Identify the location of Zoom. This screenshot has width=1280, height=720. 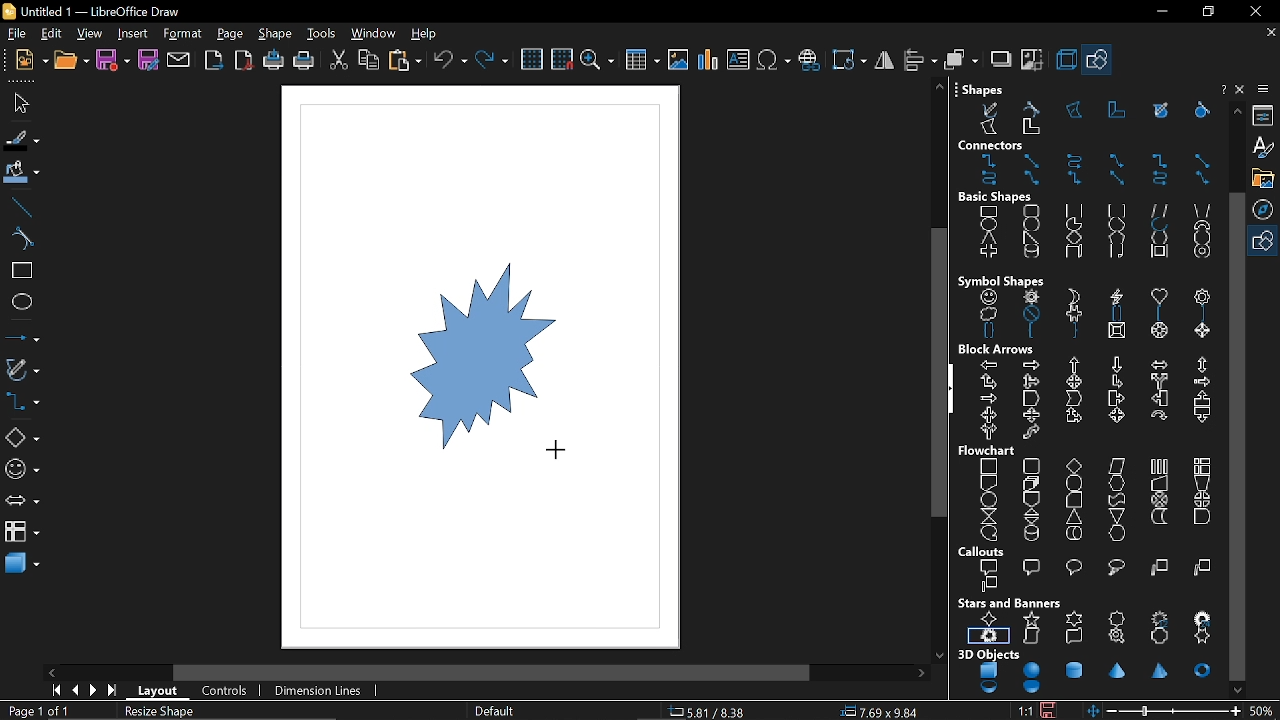
(1265, 710).